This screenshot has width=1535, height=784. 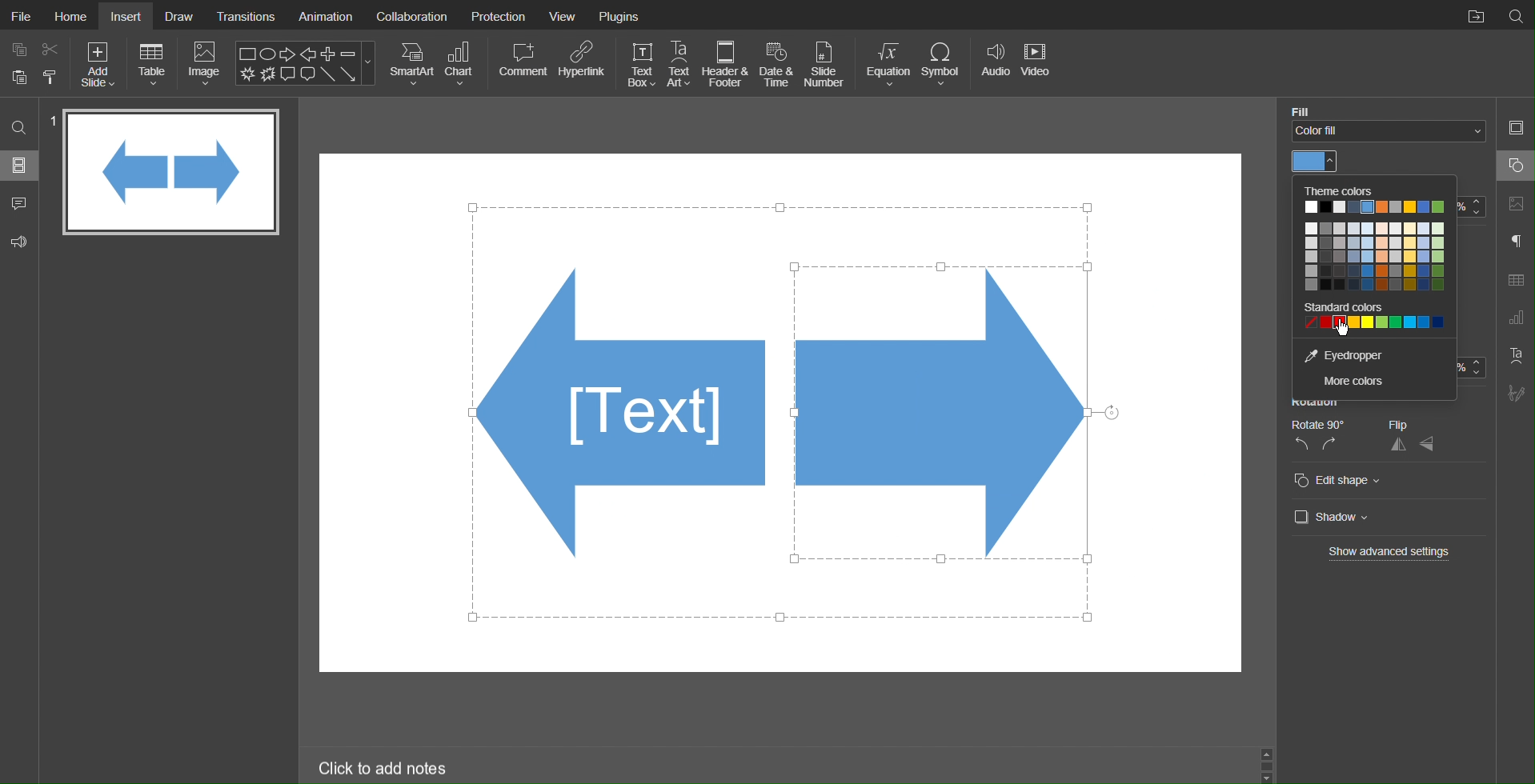 What do you see at coordinates (1336, 518) in the screenshot?
I see `Shadow` at bounding box center [1336, 518].